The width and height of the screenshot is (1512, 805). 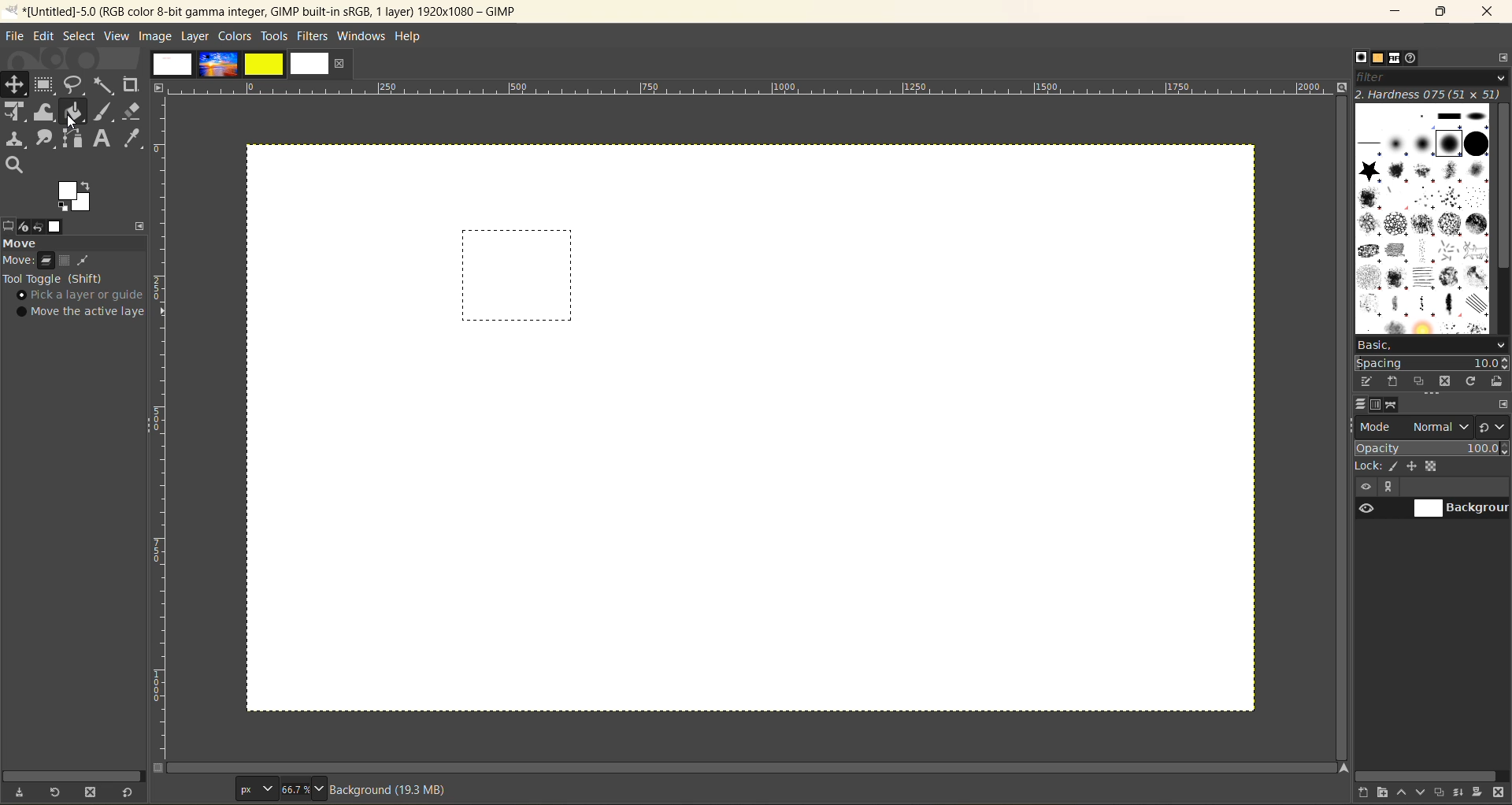 What do you see at coordinates (130, 793) in the screenshot?
I see `reset to default values` at bounding box center [130, 793].